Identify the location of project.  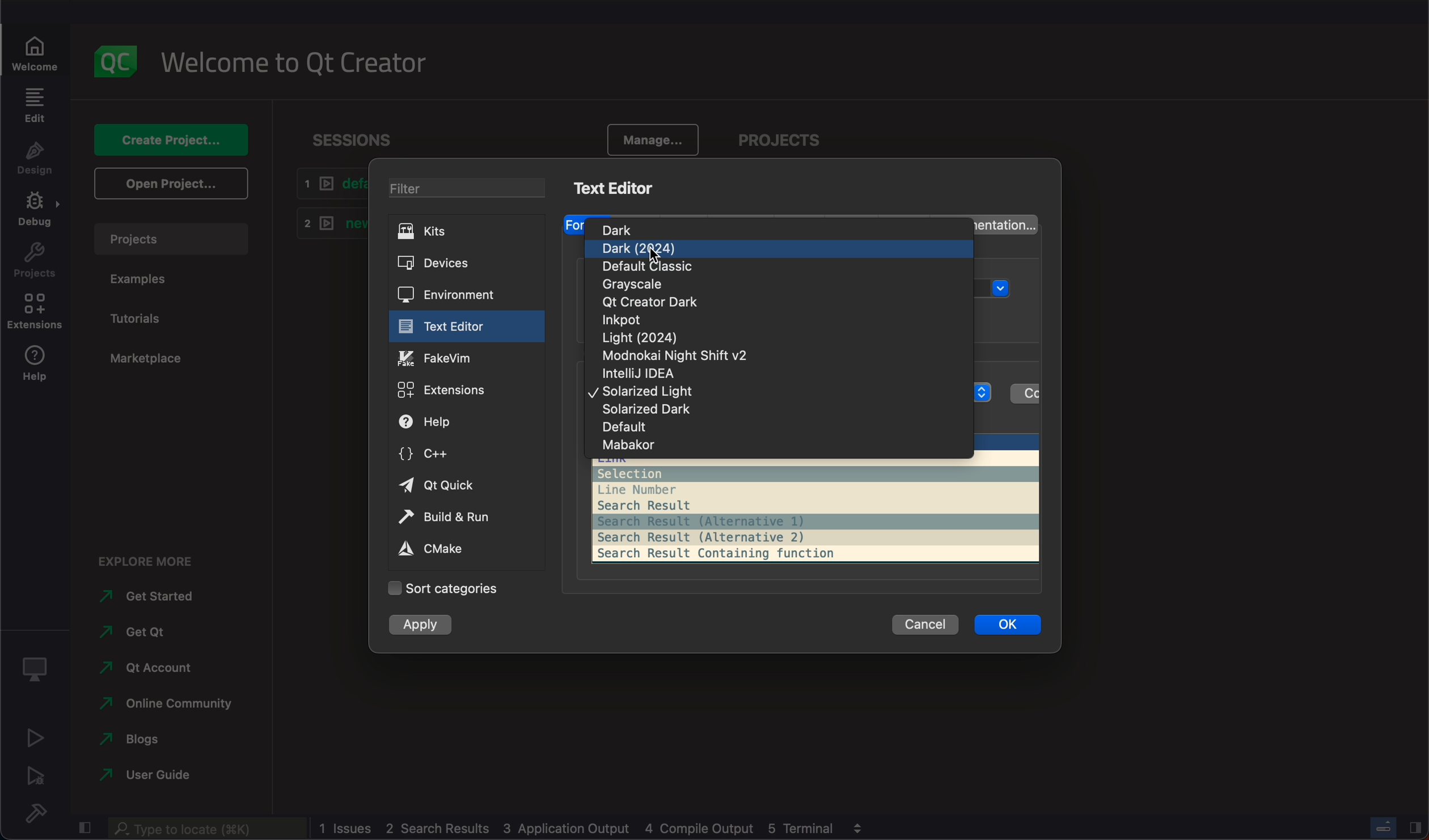
(790, 137).